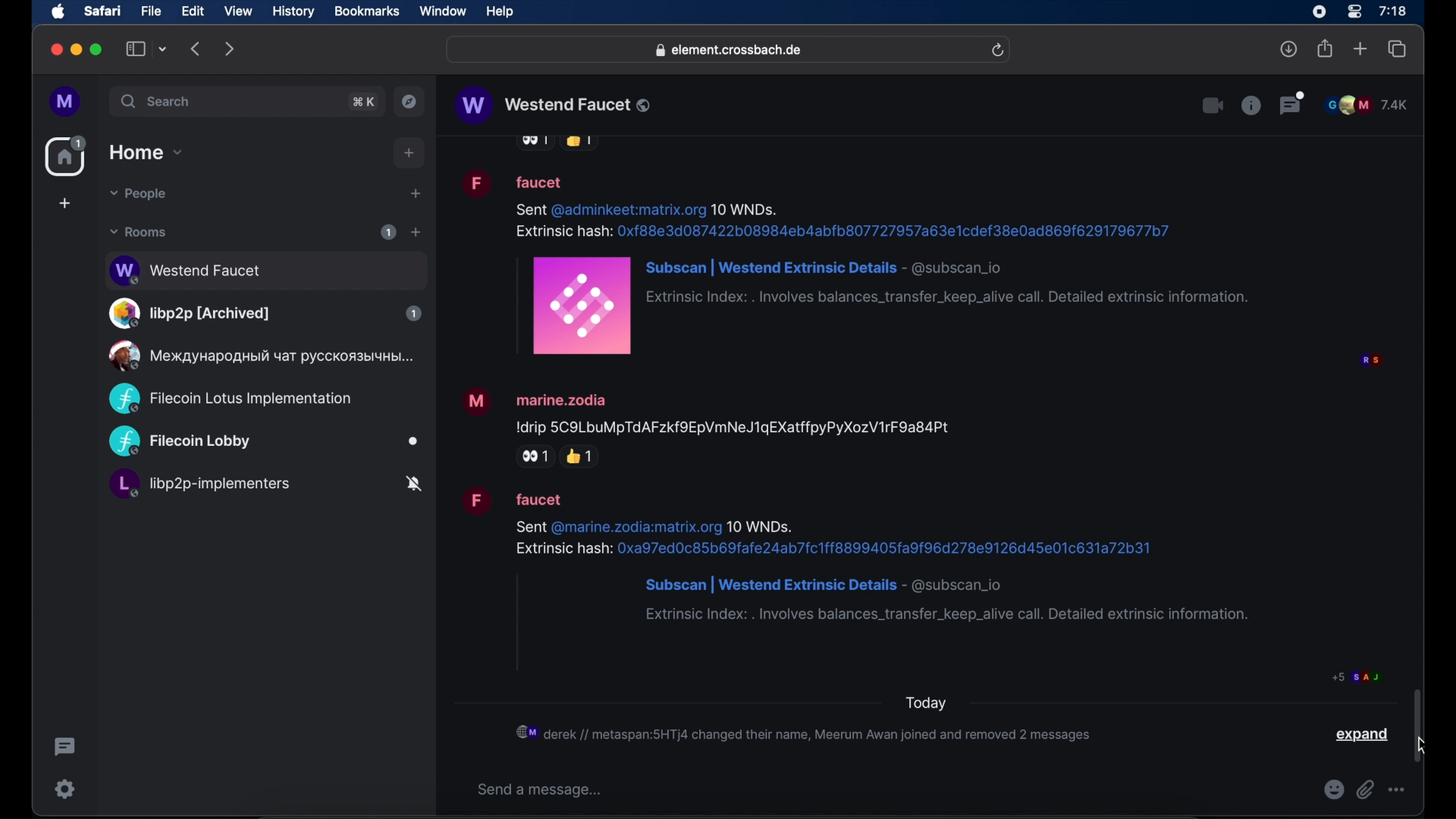  What do you see at coordinates (1211, 106) in the screenshot?
I see `video call` at bounding box center [1211, 106].